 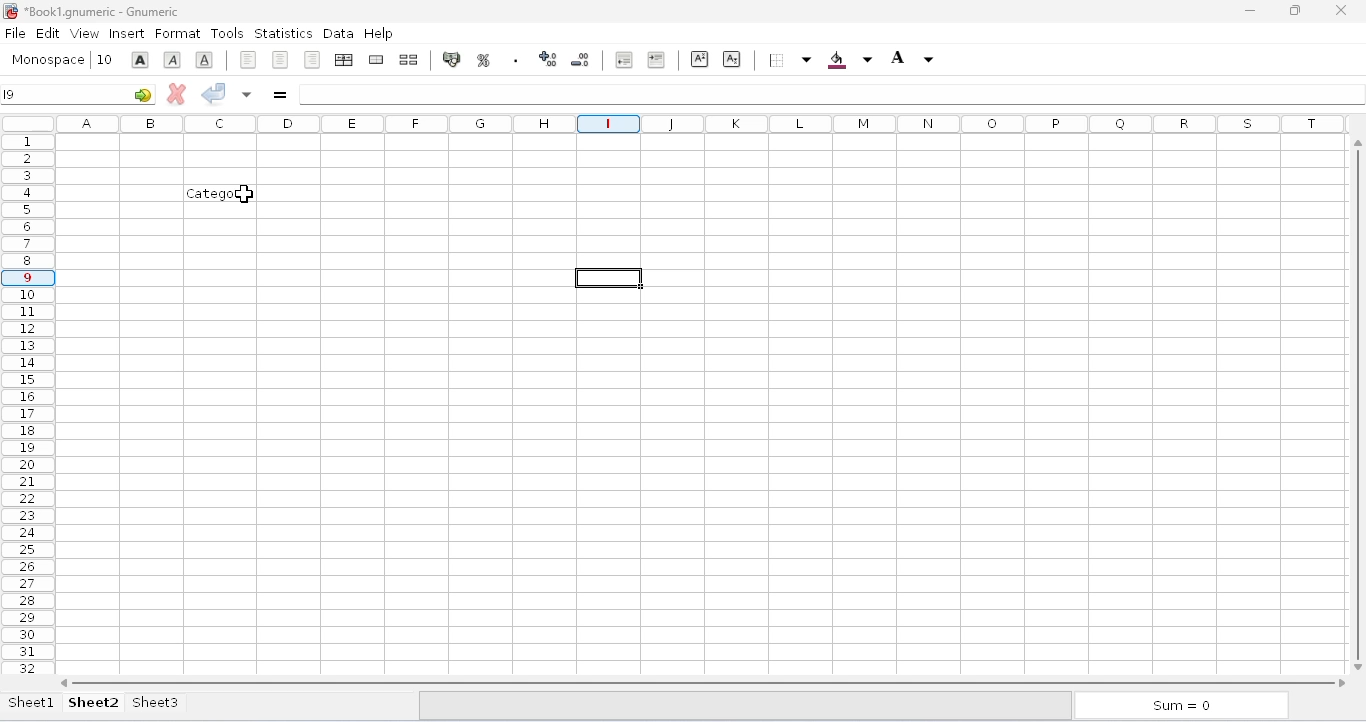 I want to click on logo, so click(x=10, y=11).